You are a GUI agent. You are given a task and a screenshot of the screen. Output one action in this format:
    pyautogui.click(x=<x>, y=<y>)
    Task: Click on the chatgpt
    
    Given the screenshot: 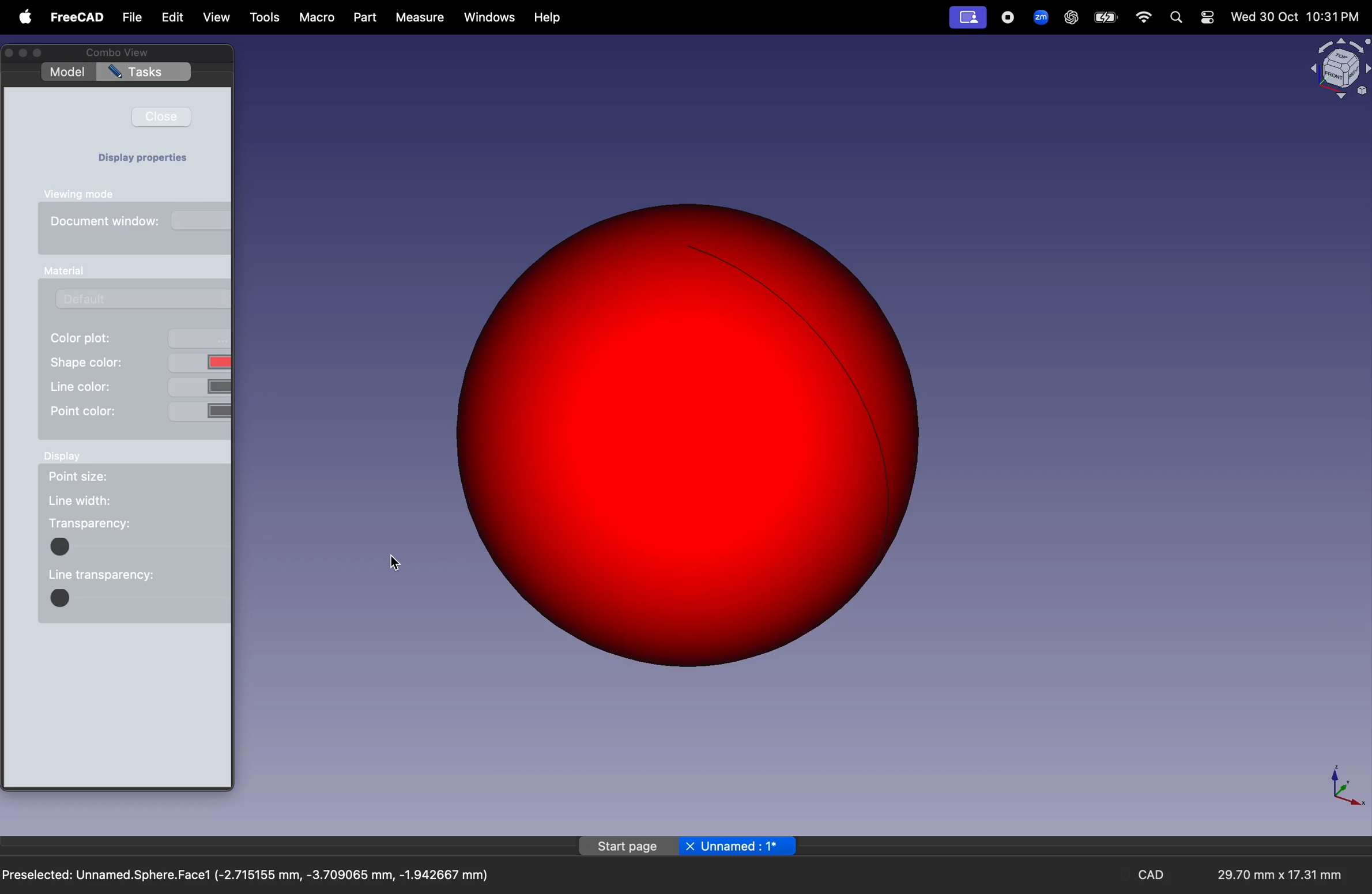 What is the action you would take?
    pyautogui.click(x=1071, y=17)
    